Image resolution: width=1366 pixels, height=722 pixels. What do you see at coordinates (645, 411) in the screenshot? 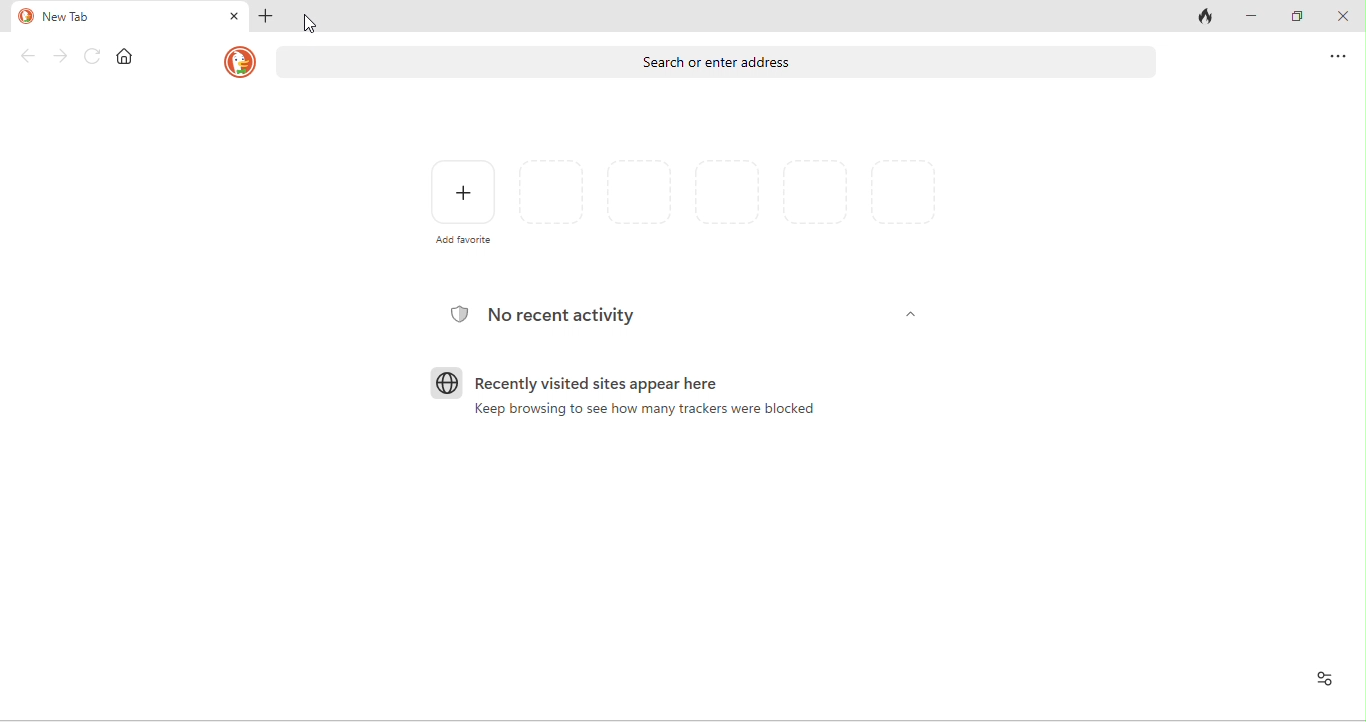
I see `keep browsing to see how many trackers were blocked` at bounding box center [645, 411].